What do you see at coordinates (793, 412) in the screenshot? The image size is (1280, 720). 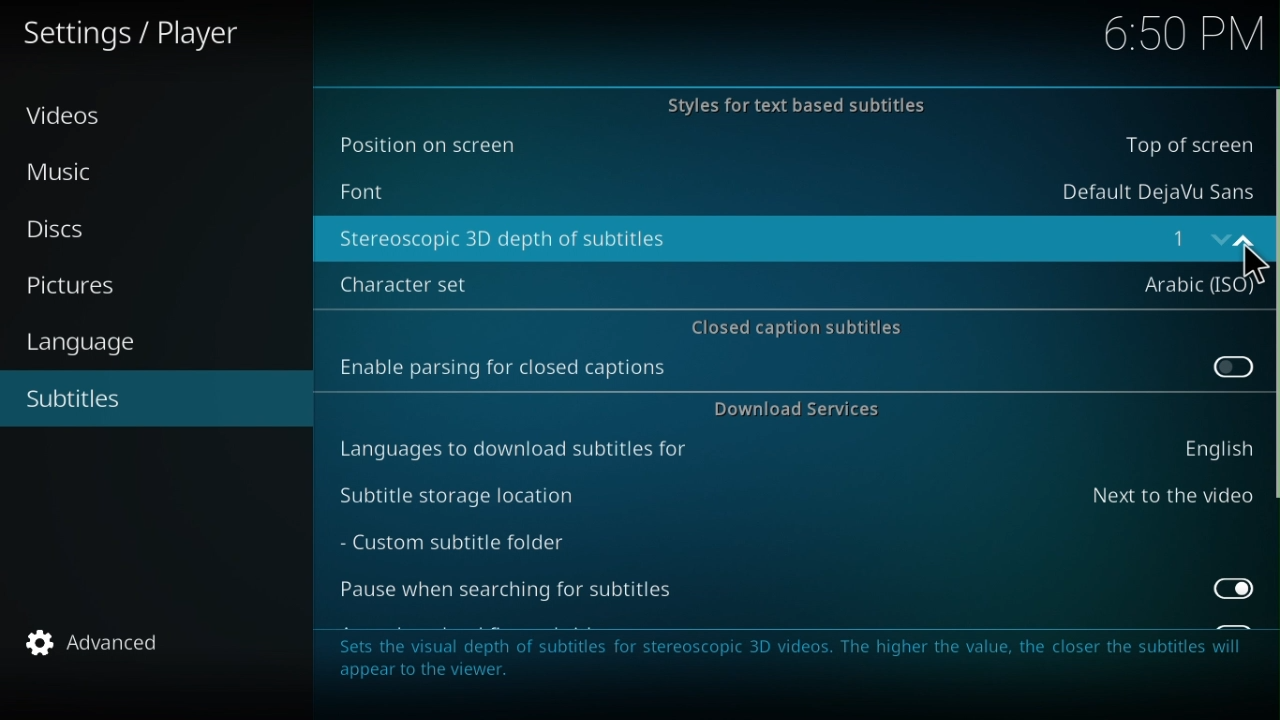 I see `Download services` at bounding box center [793, 412].